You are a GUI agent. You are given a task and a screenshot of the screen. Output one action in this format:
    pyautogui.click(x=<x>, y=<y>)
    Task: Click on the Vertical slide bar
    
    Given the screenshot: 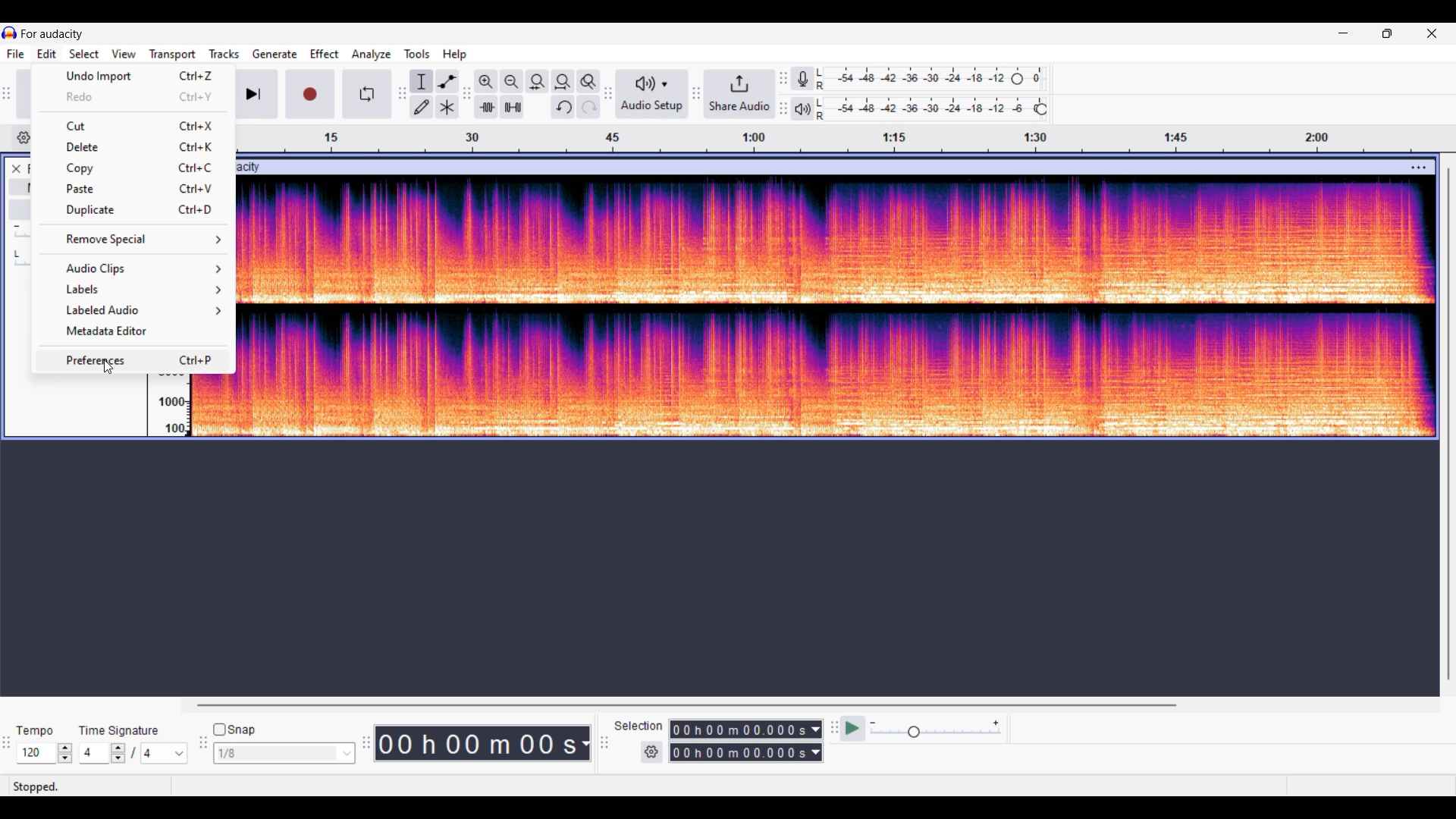 What is the action you would take?
    pyautogui.click(x=1449, y=423)
    